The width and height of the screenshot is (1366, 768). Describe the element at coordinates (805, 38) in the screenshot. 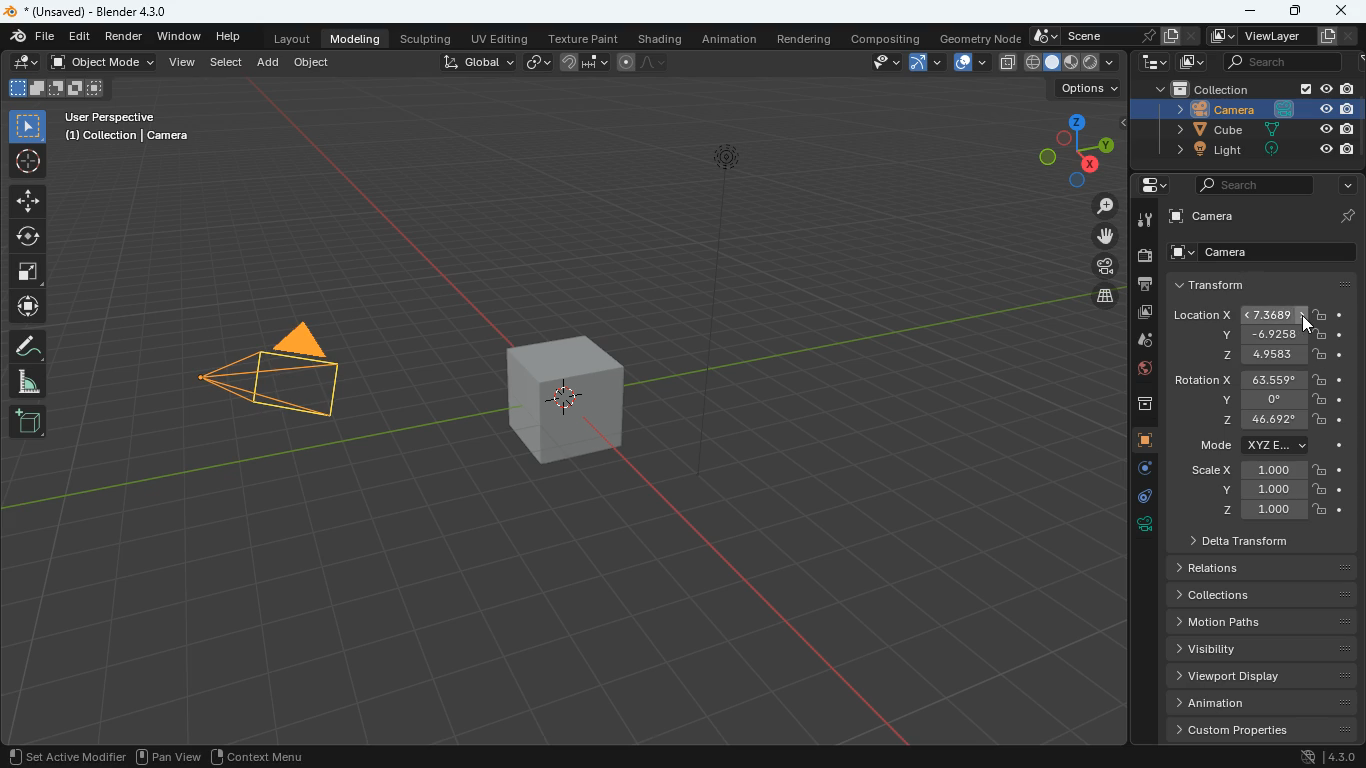

I see `rendering` at that location.